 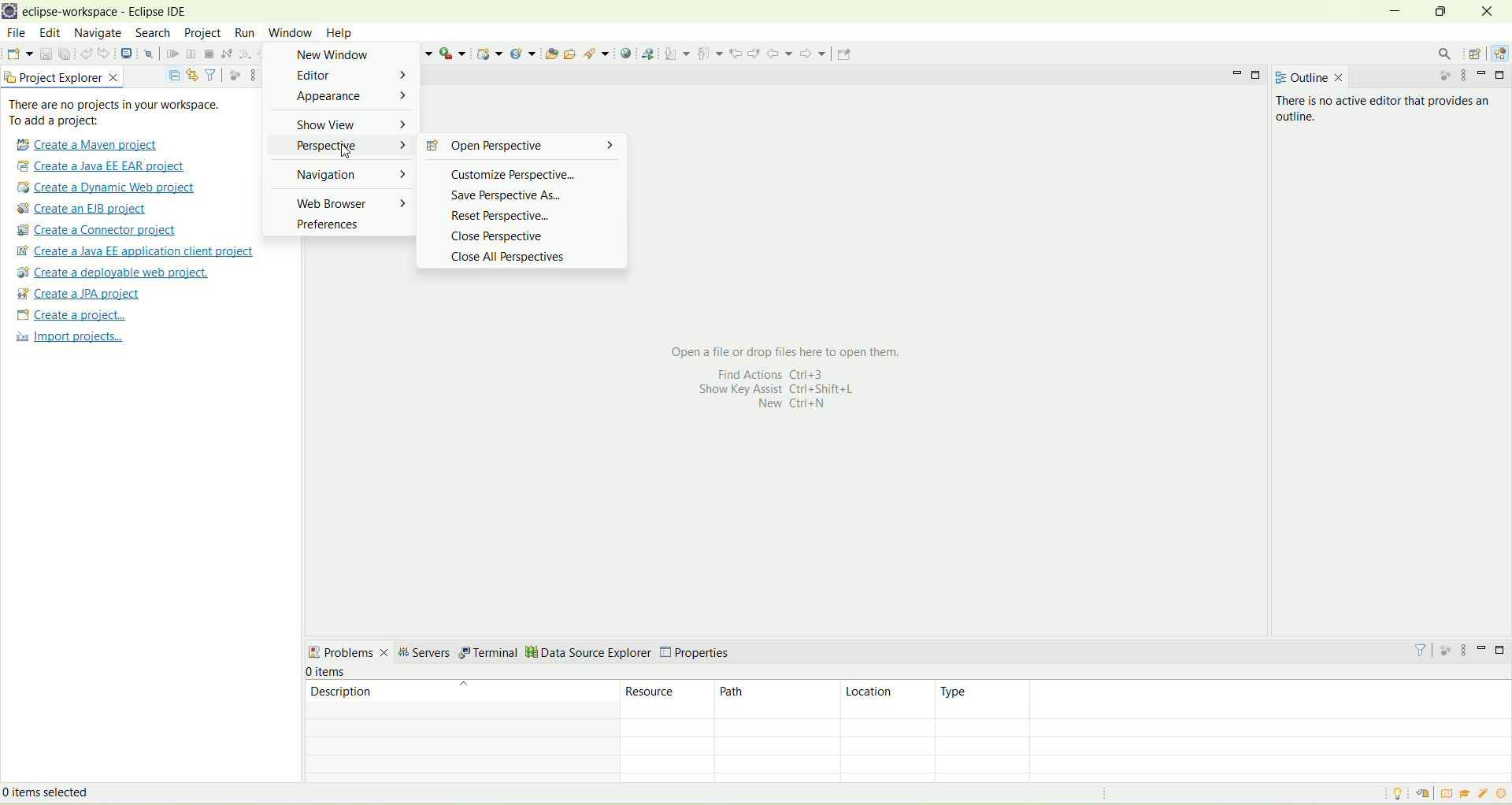 What do you see at coordinates (772, 390) in the screenshot?
I see `Show Key assist Ctrl+Shift+L` at bounding box center [772, 390].